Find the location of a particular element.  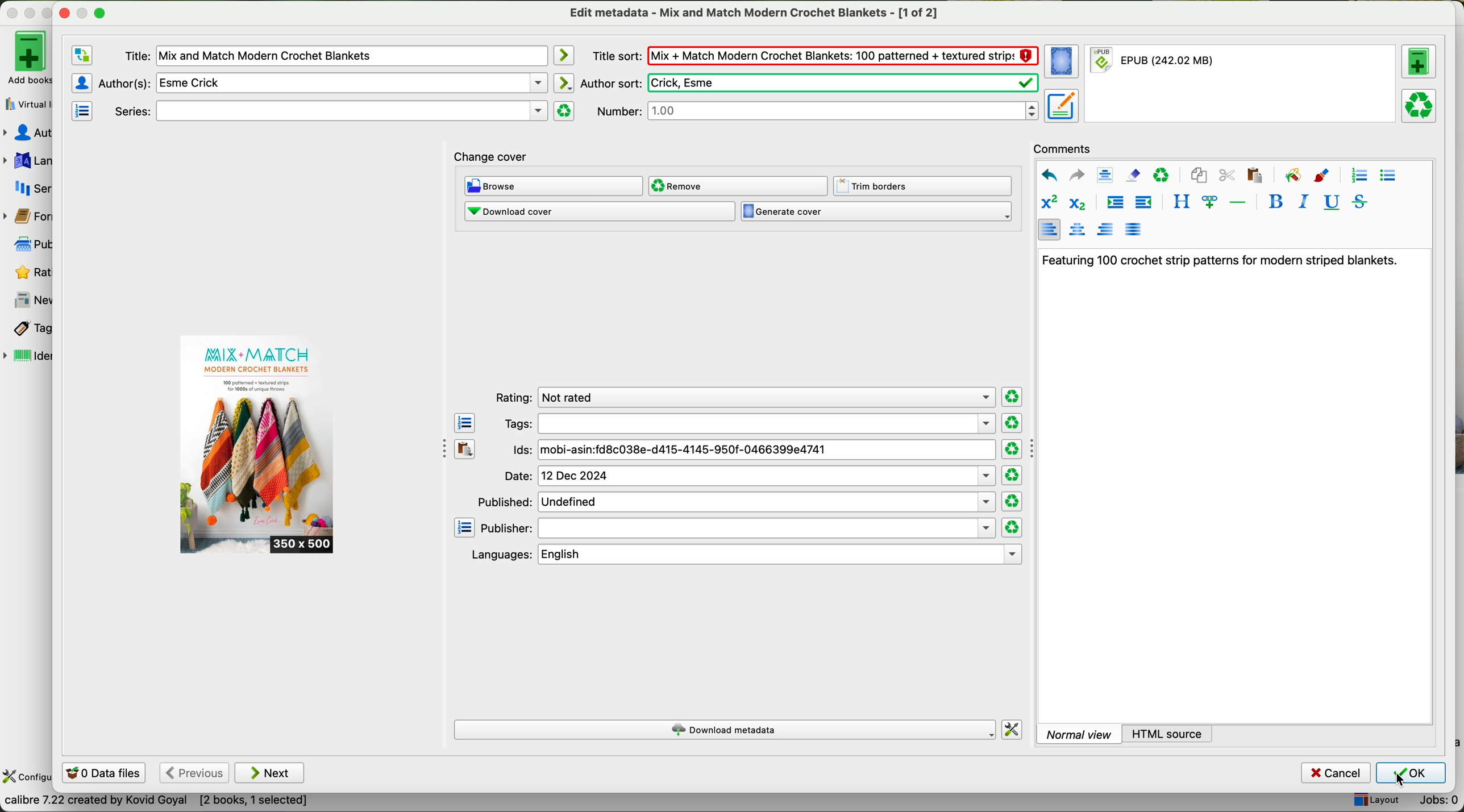

remove is located at coordinates (737, 186).